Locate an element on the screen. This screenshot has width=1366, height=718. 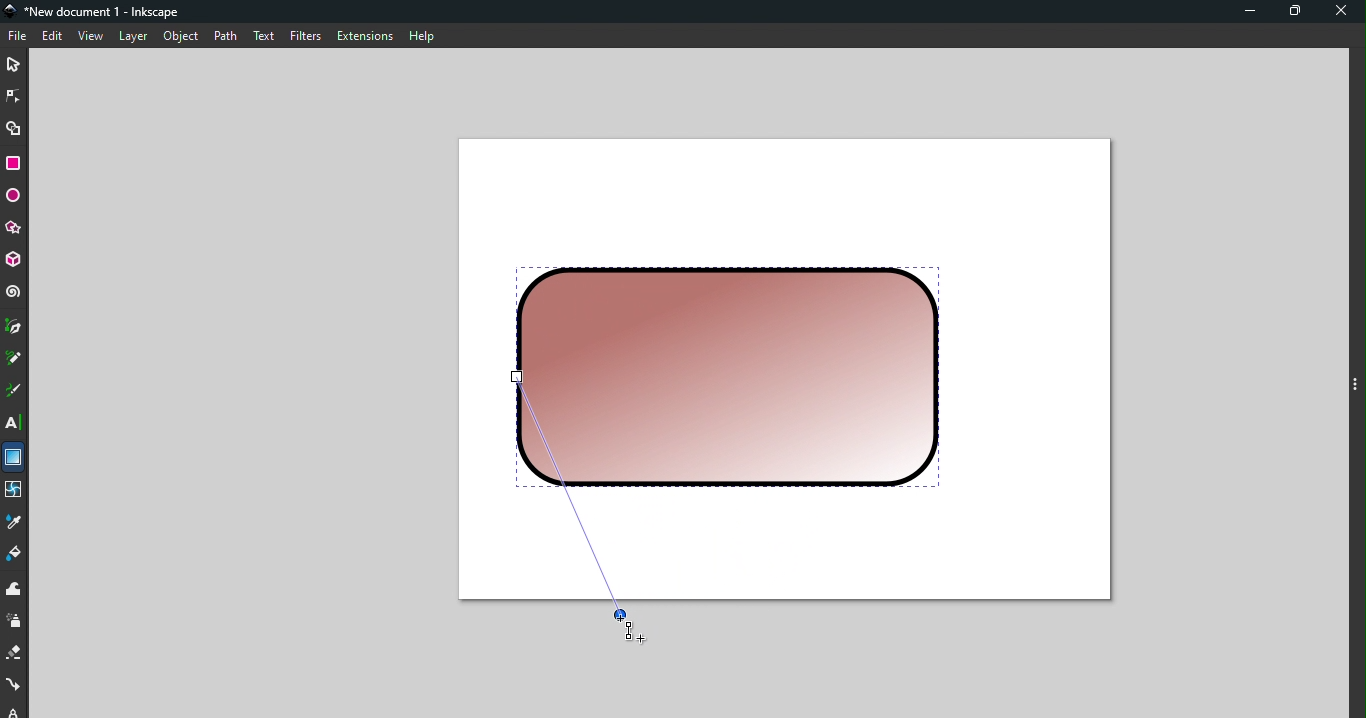
Pencil tool is located at coordinates (14, 360).